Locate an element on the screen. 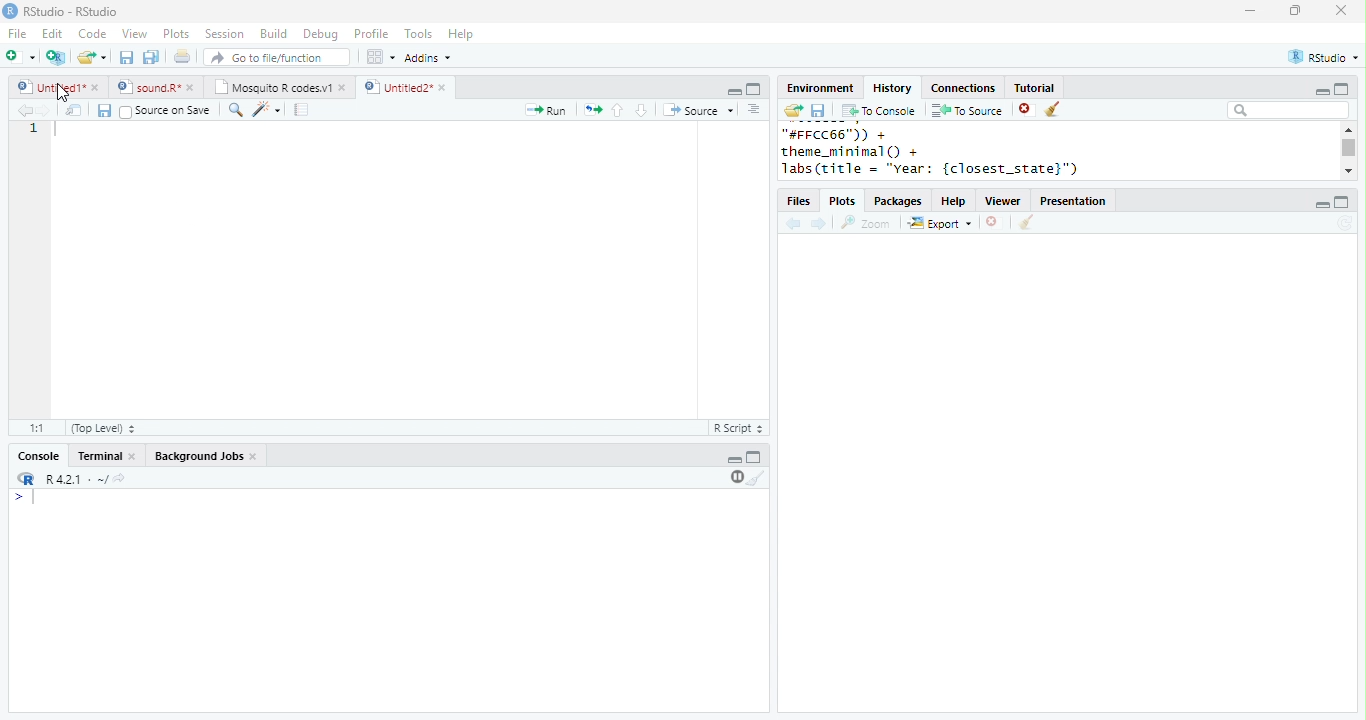 Image resolution: width=1366 pixels, height=720 pixels. open file is located at coordinates (92, 58).